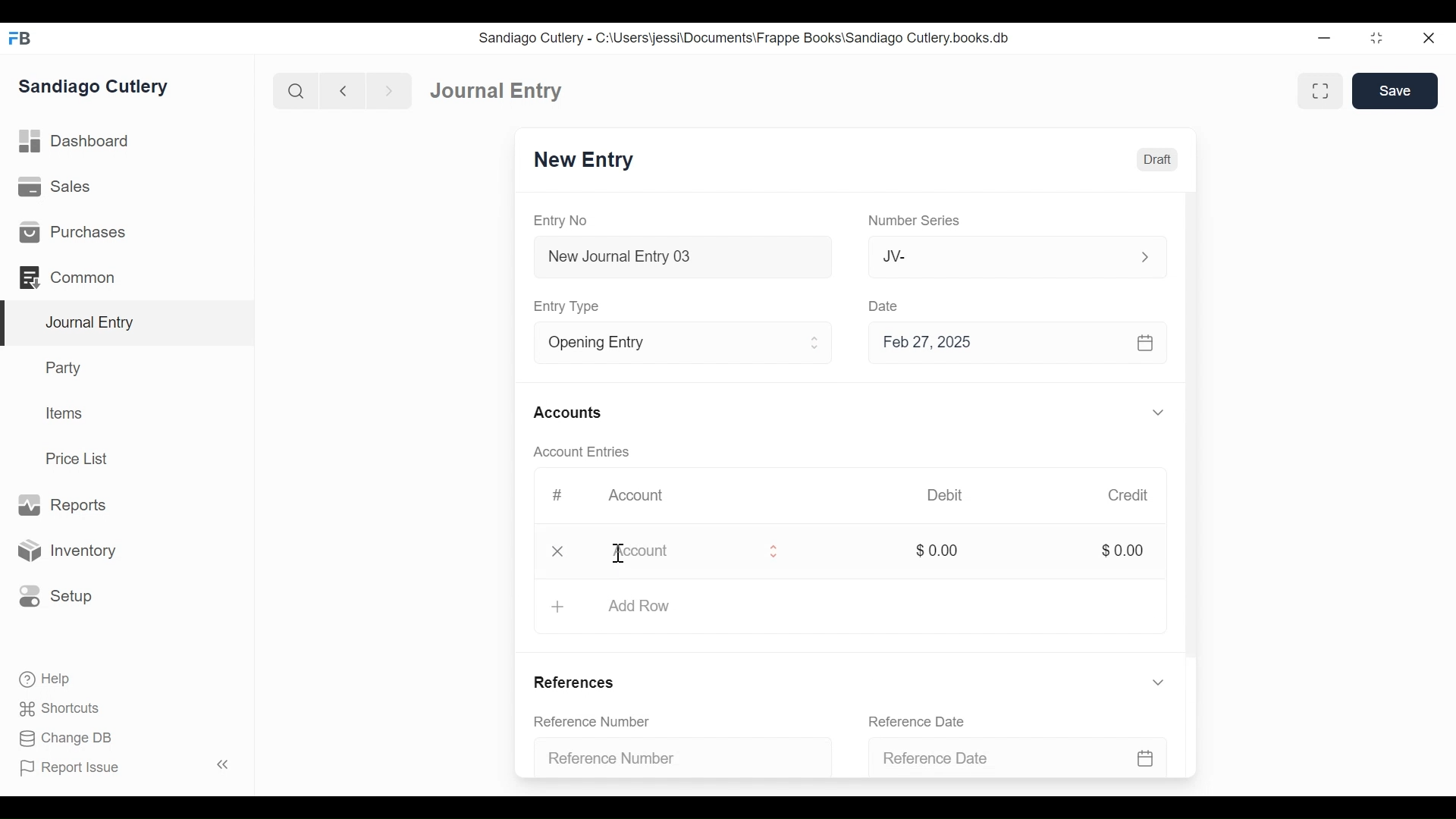 The image size is (1456, 819). What do you see at coordinates (80, 458) in the screenshot?
I see `Price List` at bounding box center [80, 458].